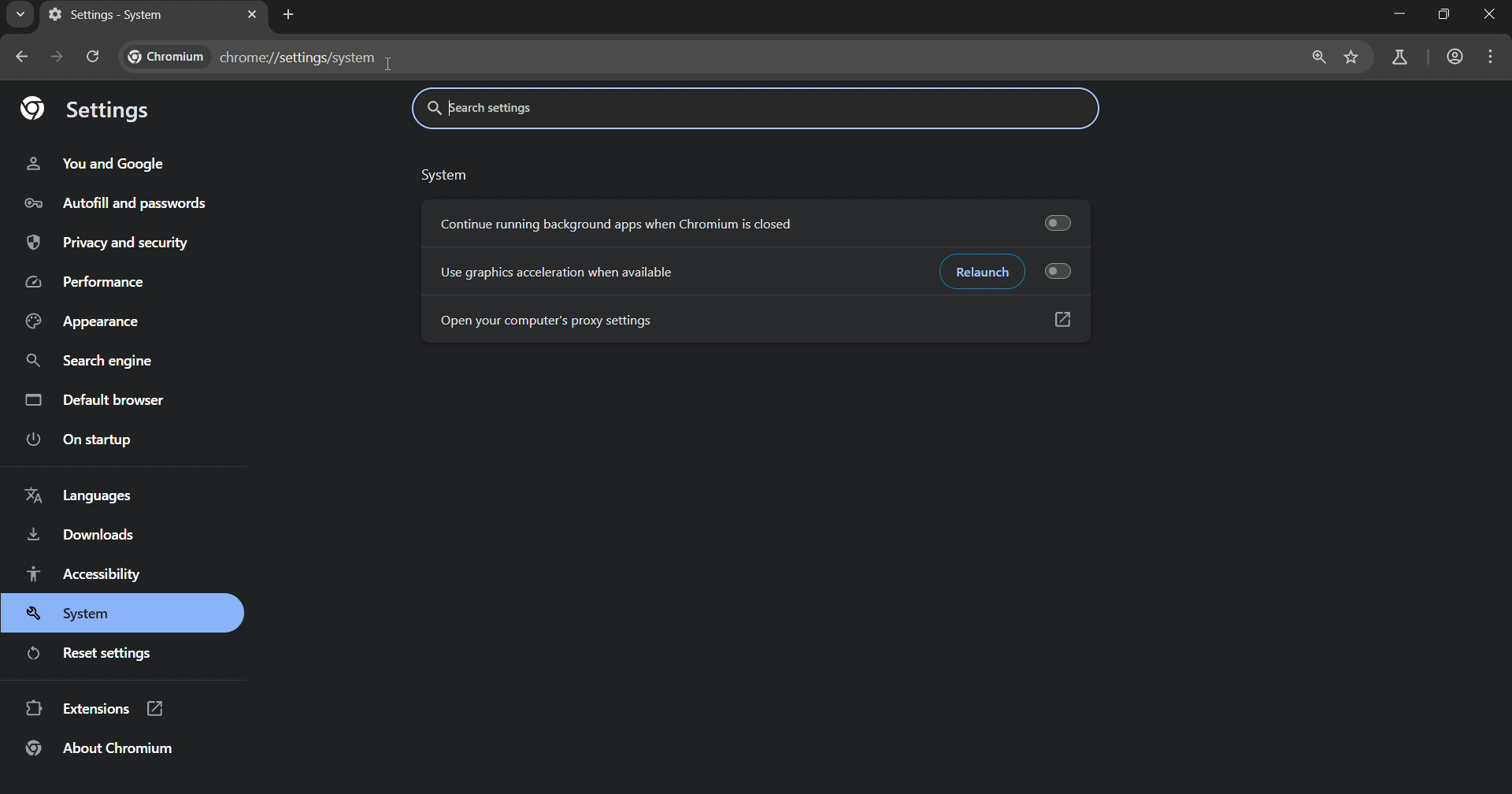 This screenshot has height=794, width=1512. What do you see at coordinates (1317, 58) in the screenshot?
I see `zoom` at bounding box center [1317, 58].